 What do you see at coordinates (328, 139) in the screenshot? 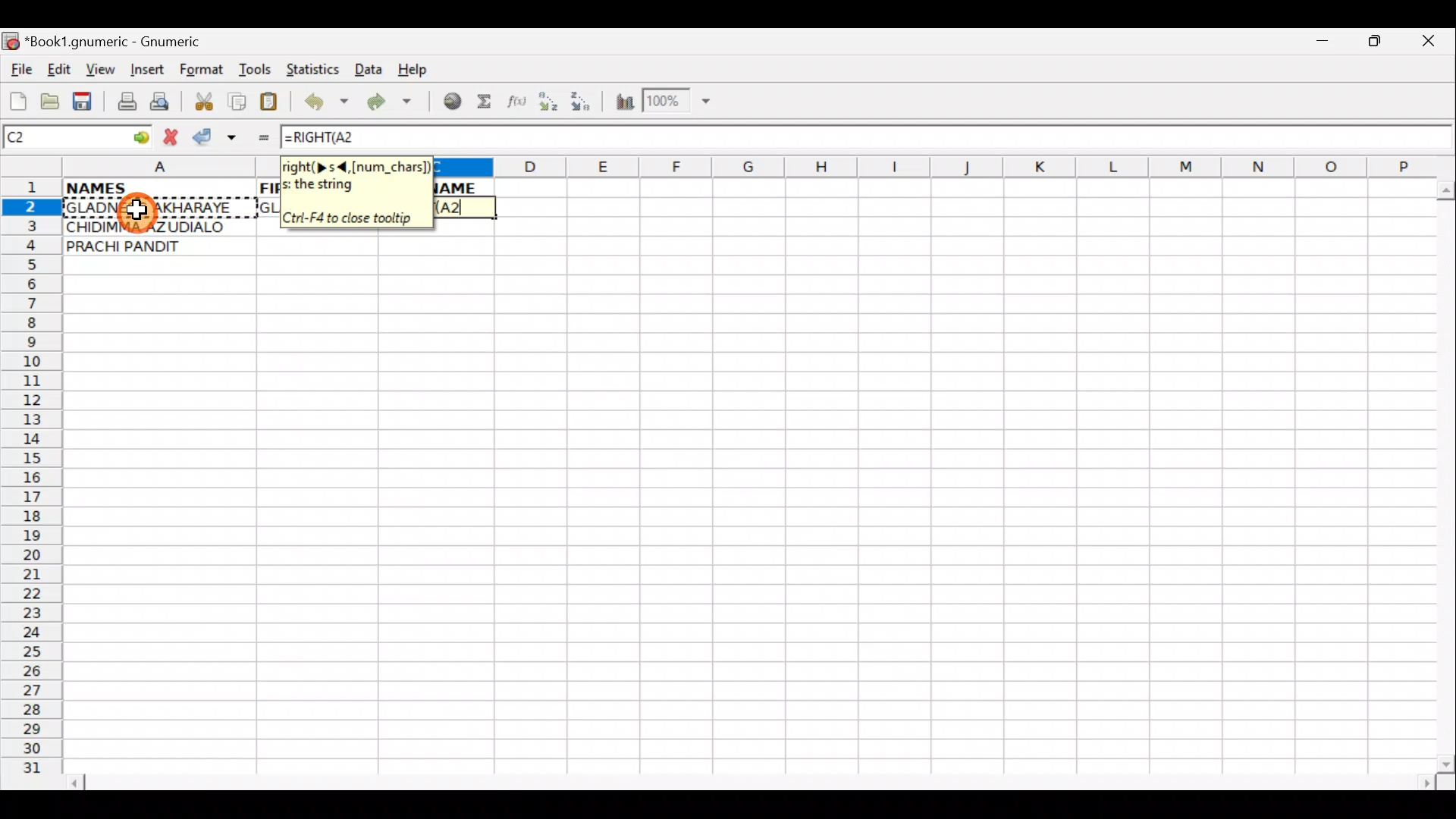
I see `=RIGHT(A2` at bounding box center [328, 139].